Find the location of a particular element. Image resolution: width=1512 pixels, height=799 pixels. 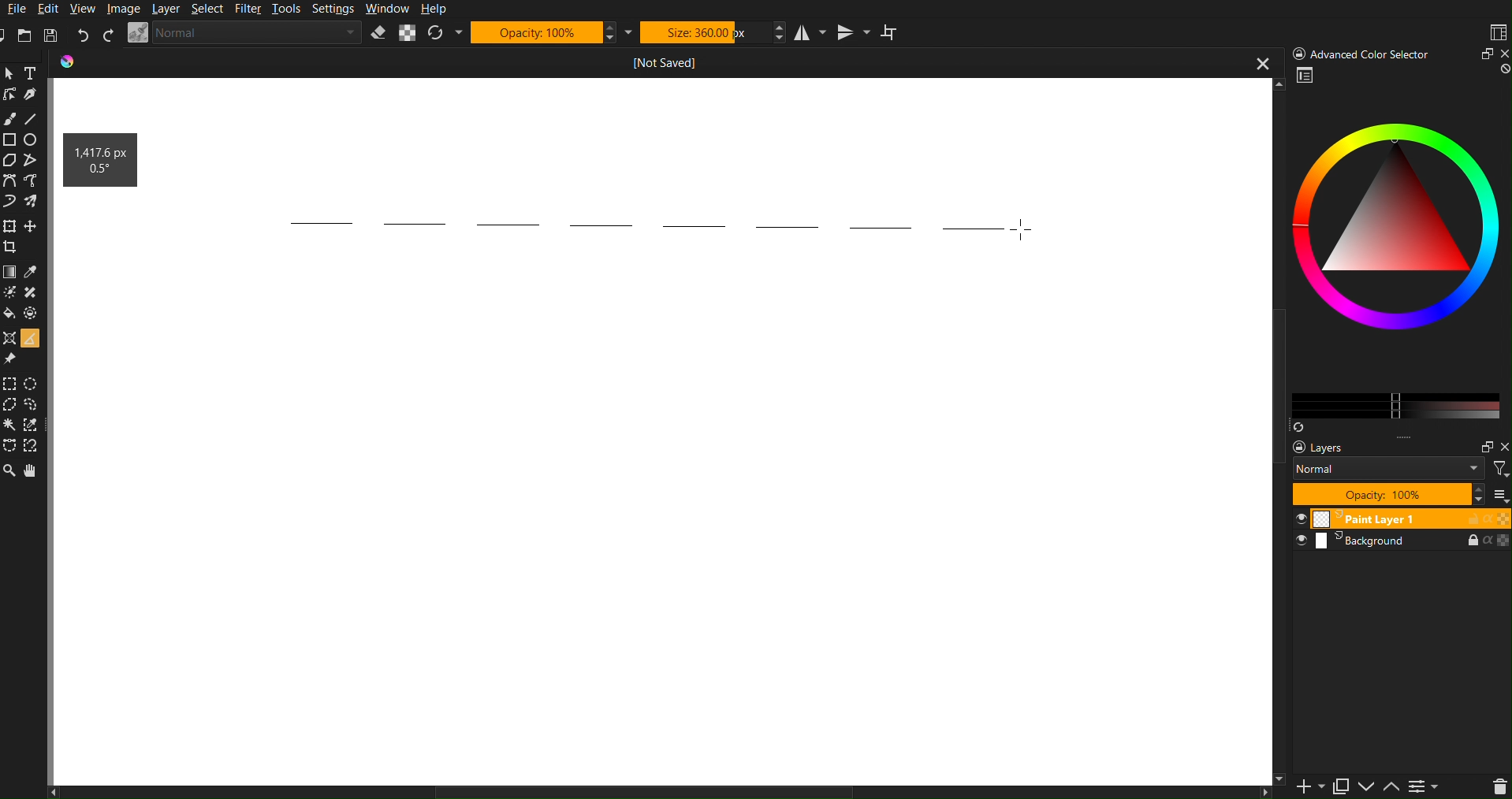

Size is located at coordinates (712, 32).